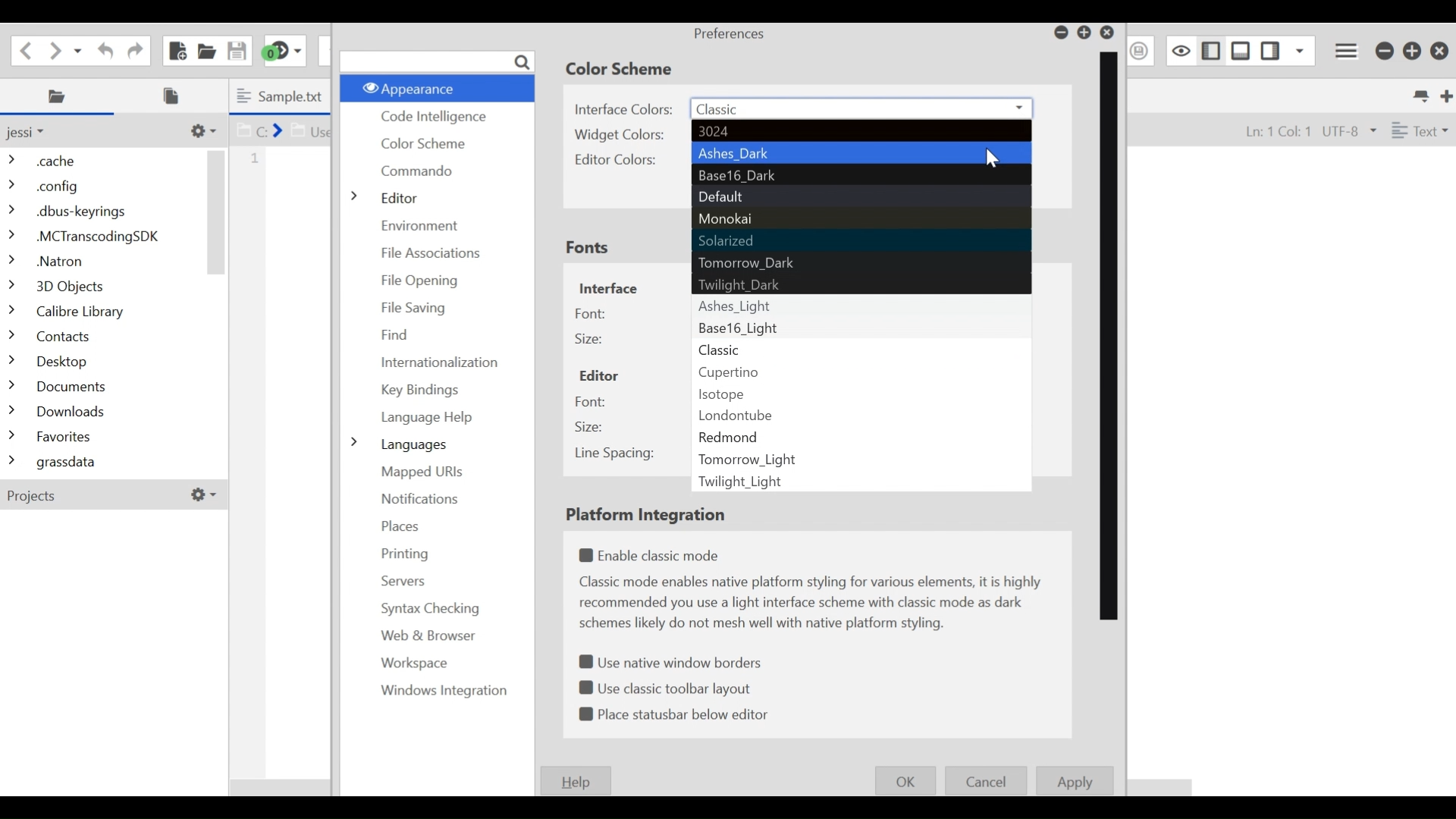  I want to click on Open Files, so click(176, 96).